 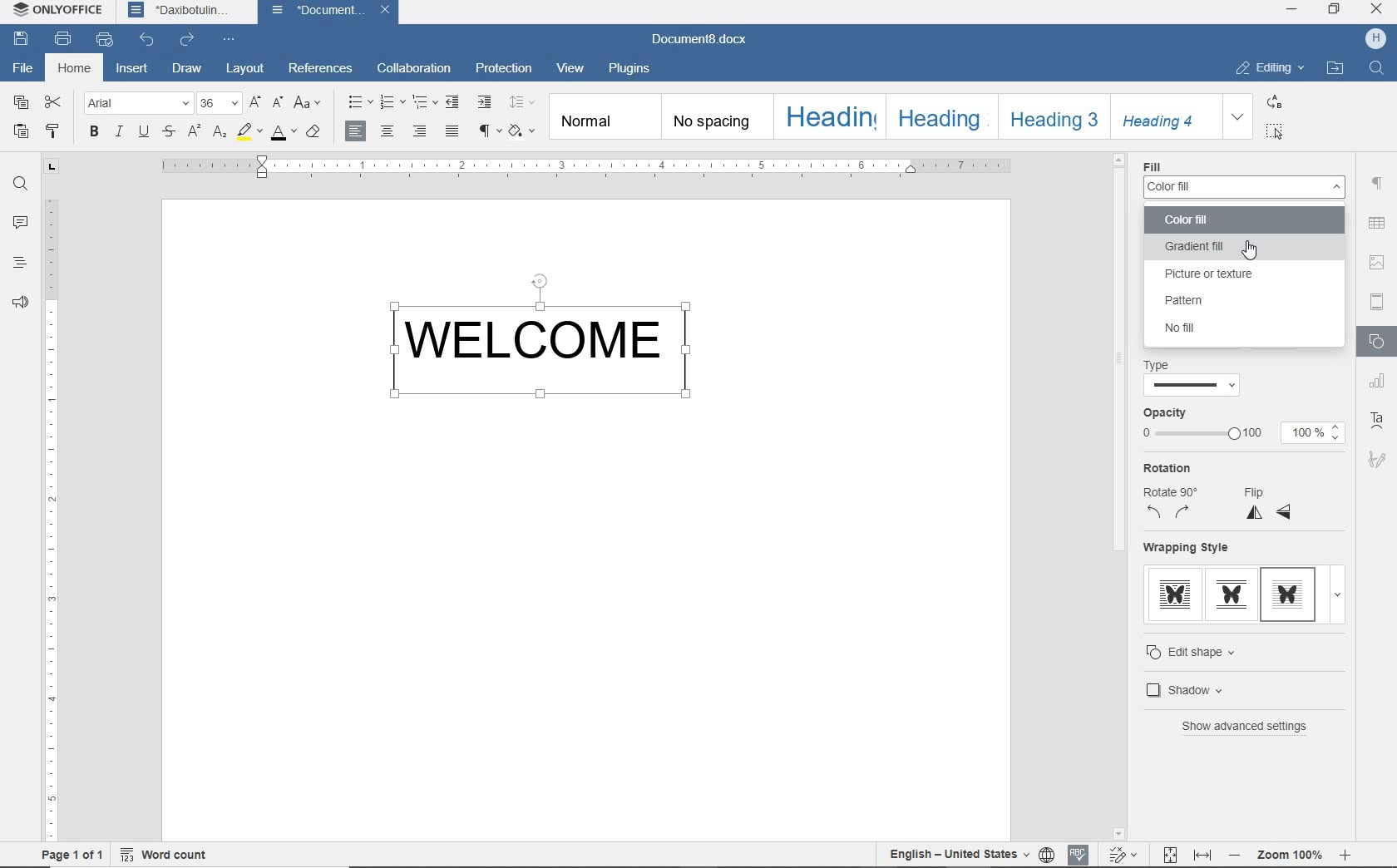 What do you see at coordinates (631, 70) in the screenshot?
I see `PLUGINS` at bounding box center [631, 70].